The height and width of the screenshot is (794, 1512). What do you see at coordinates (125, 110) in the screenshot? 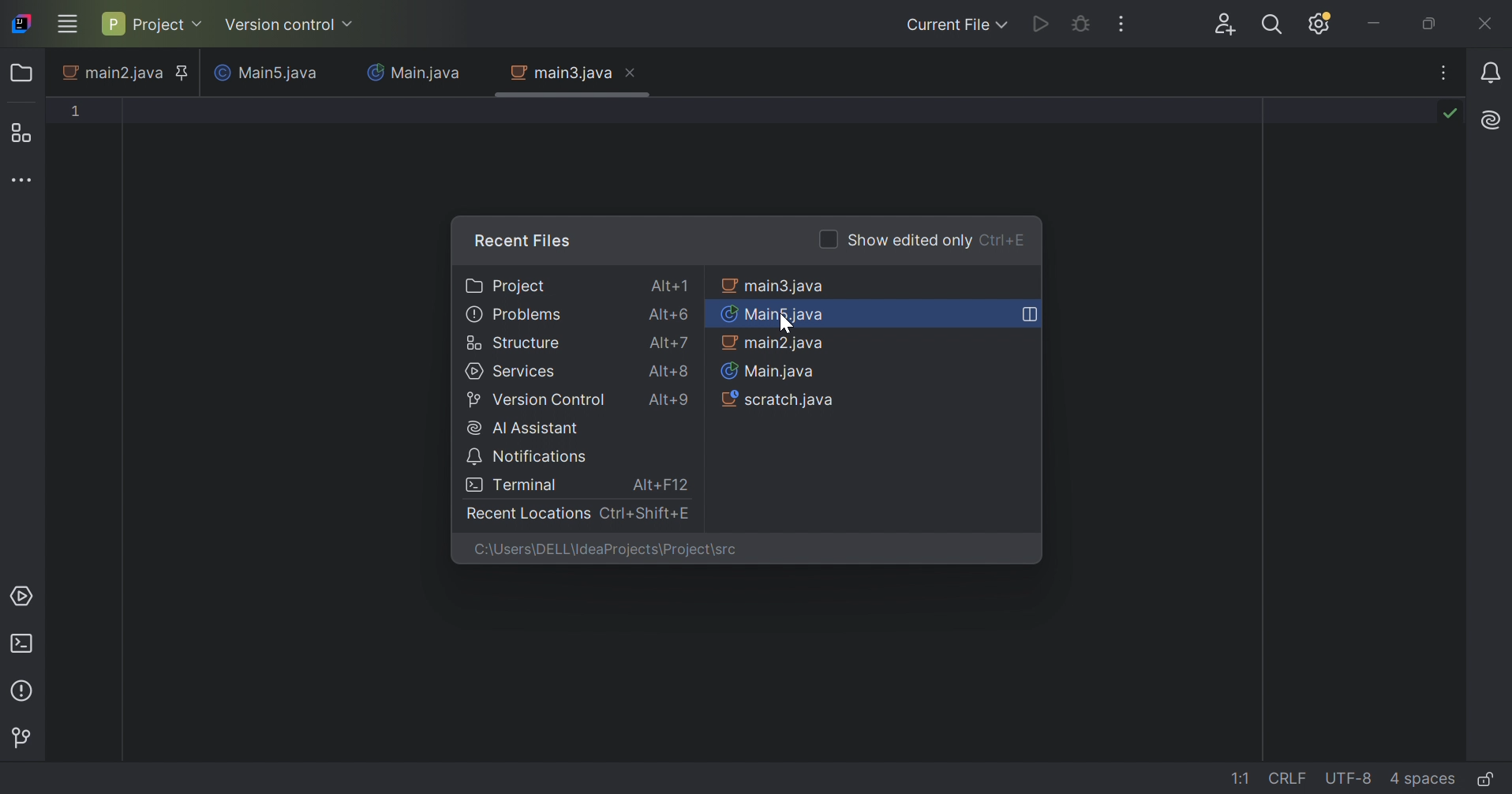
I see `Typing text pointer` at bounding box center [125, 110].